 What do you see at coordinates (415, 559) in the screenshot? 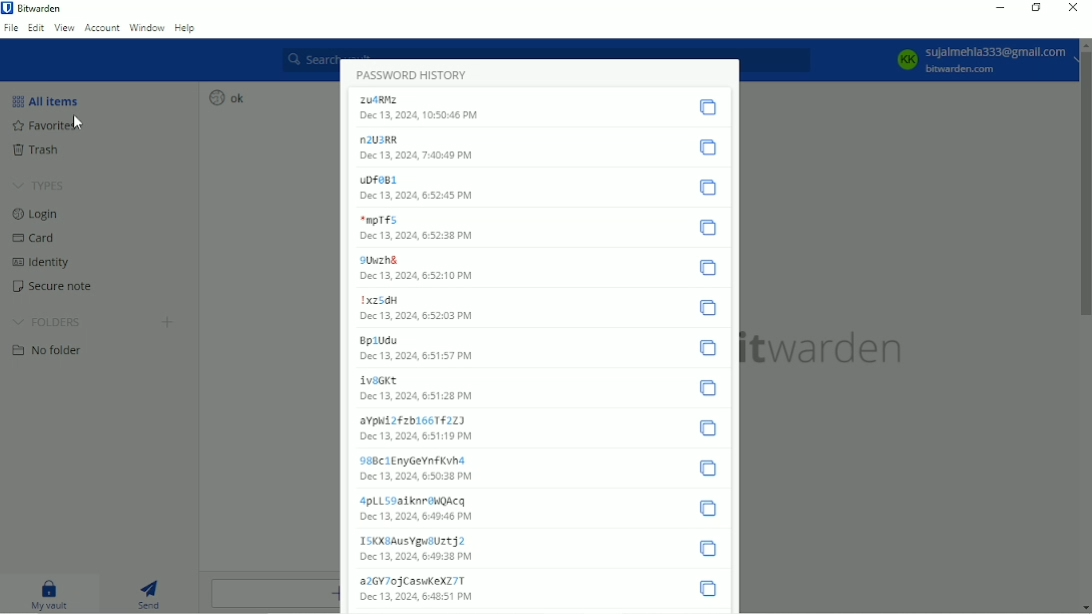
I see `Dec 13, 2024, 6:49:38 PM` at bounding box center [415, 559].